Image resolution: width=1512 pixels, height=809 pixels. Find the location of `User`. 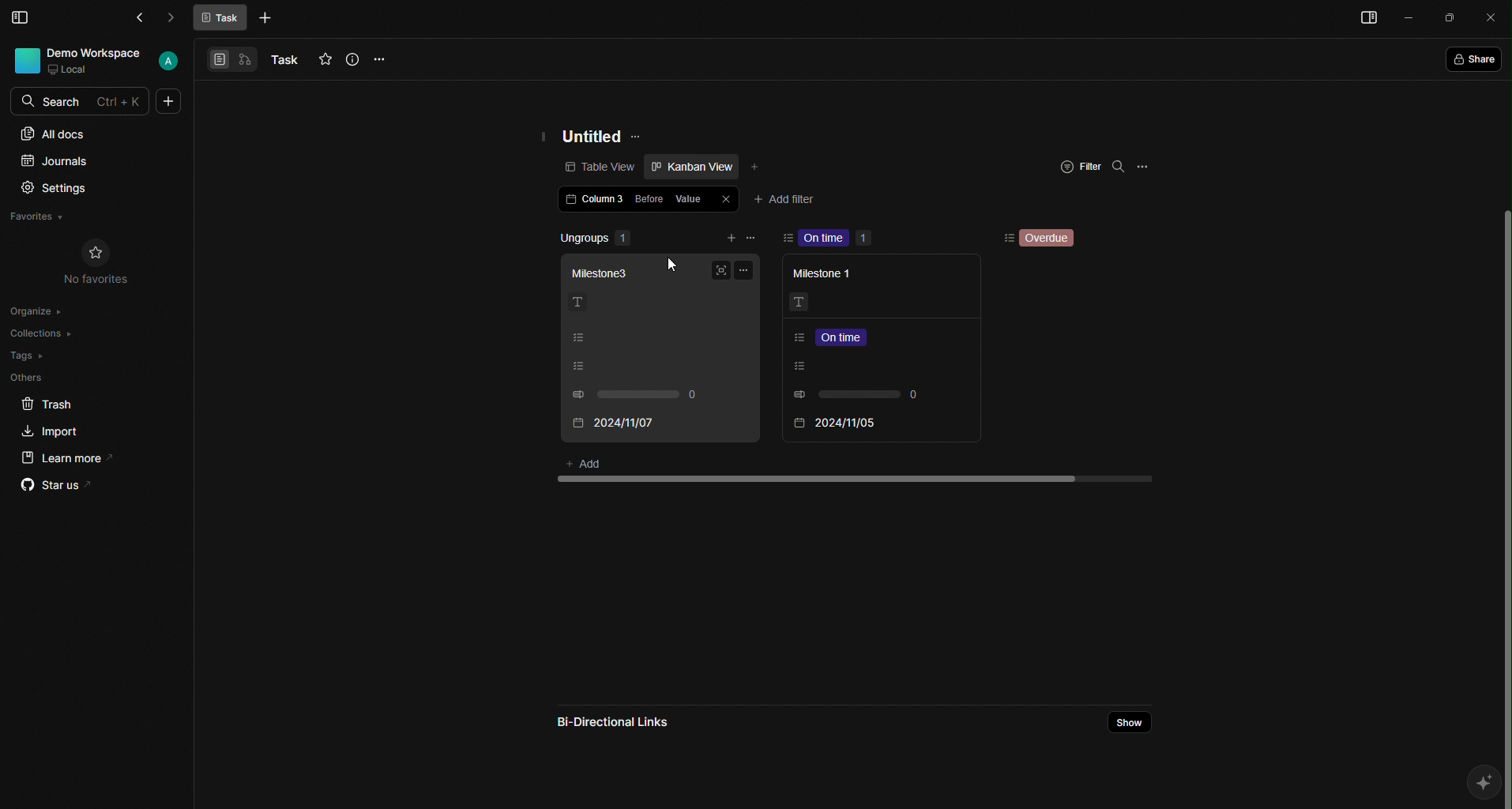

User is located at coordinates (96, 61).